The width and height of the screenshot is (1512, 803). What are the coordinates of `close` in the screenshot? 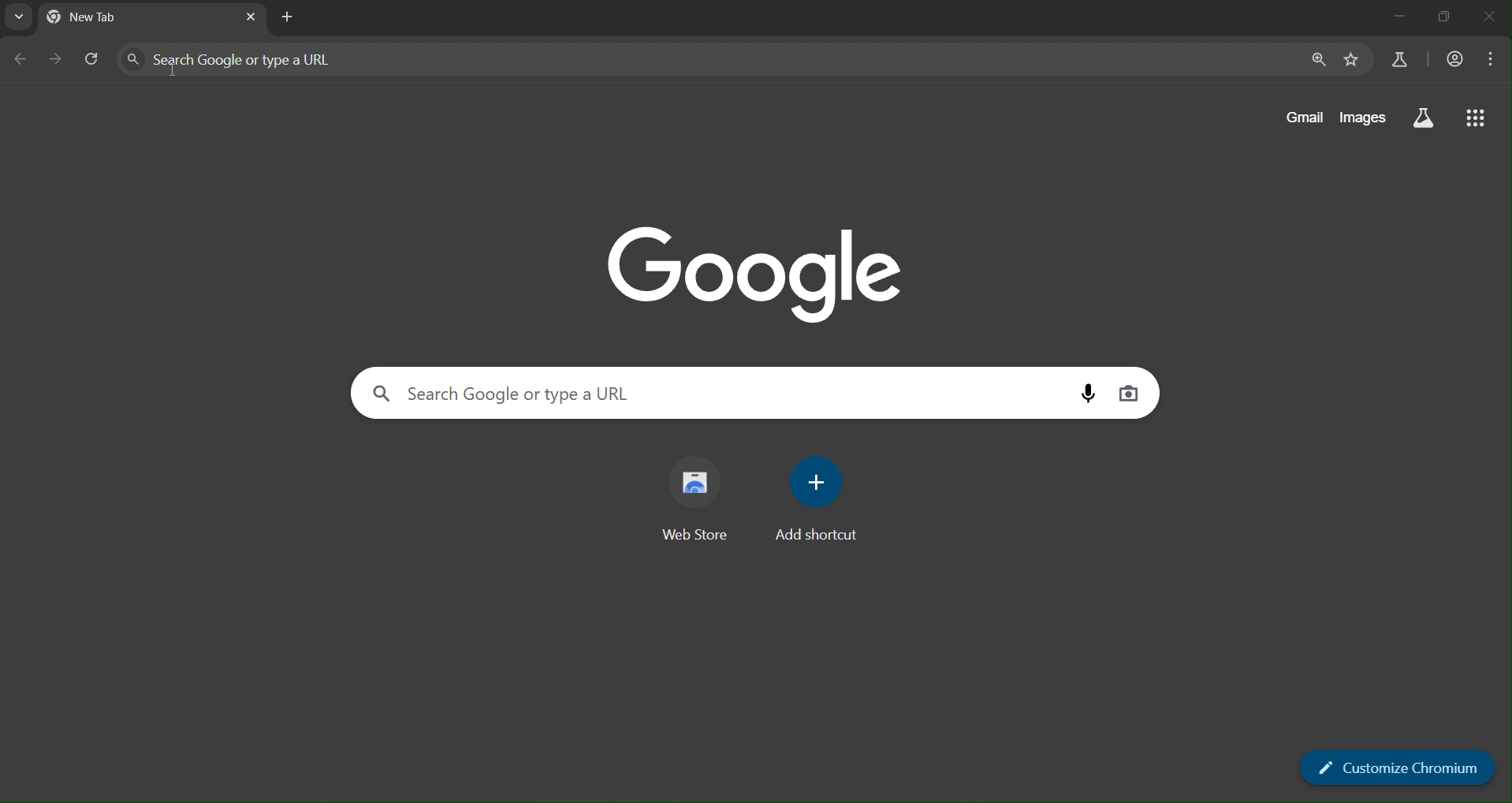 It's located at (1490, 18).